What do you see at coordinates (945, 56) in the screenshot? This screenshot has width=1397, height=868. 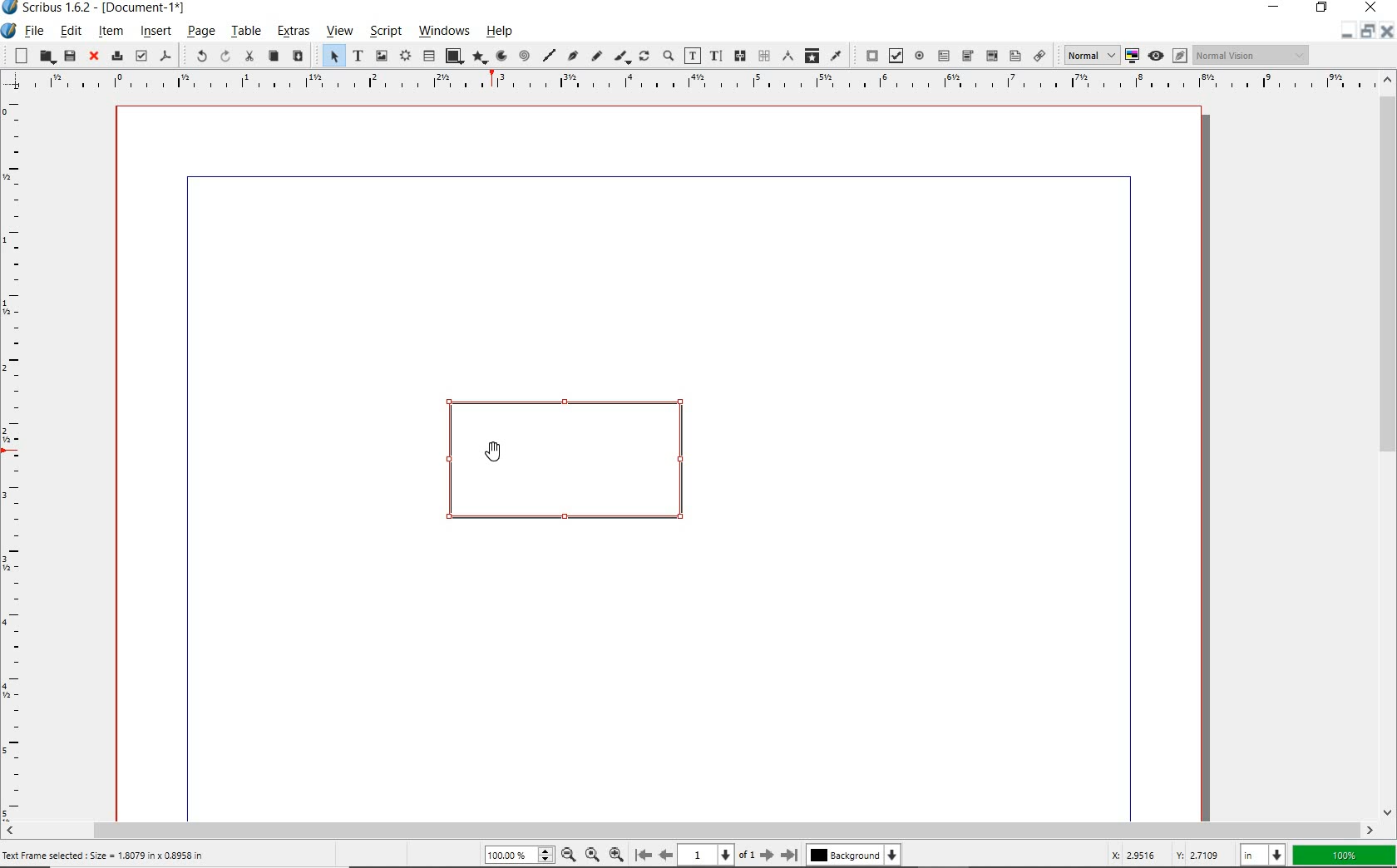 I see `pdf text field` at bounding box center [945, 56].